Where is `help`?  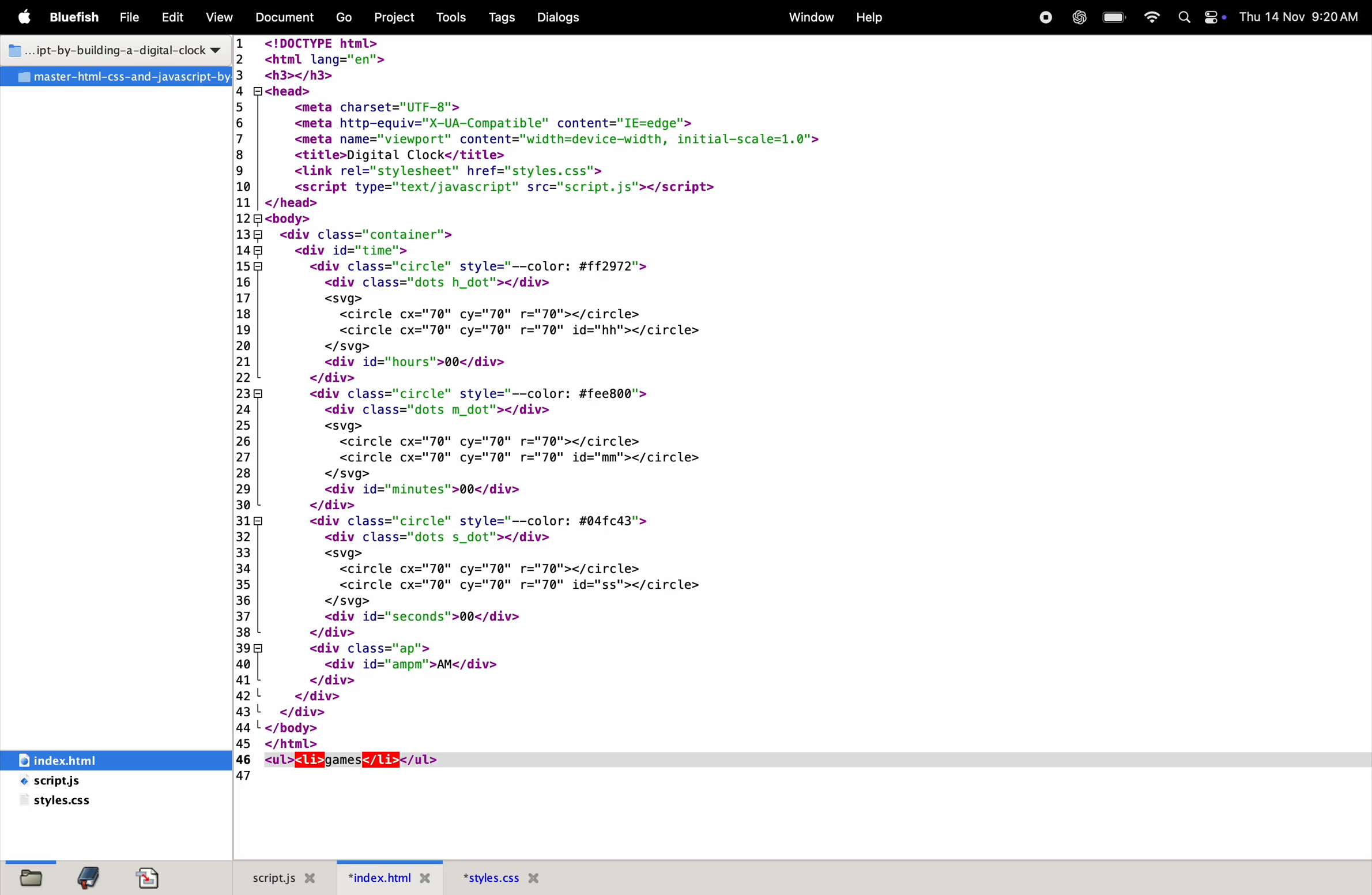
help is located at coordinates (869, 17).